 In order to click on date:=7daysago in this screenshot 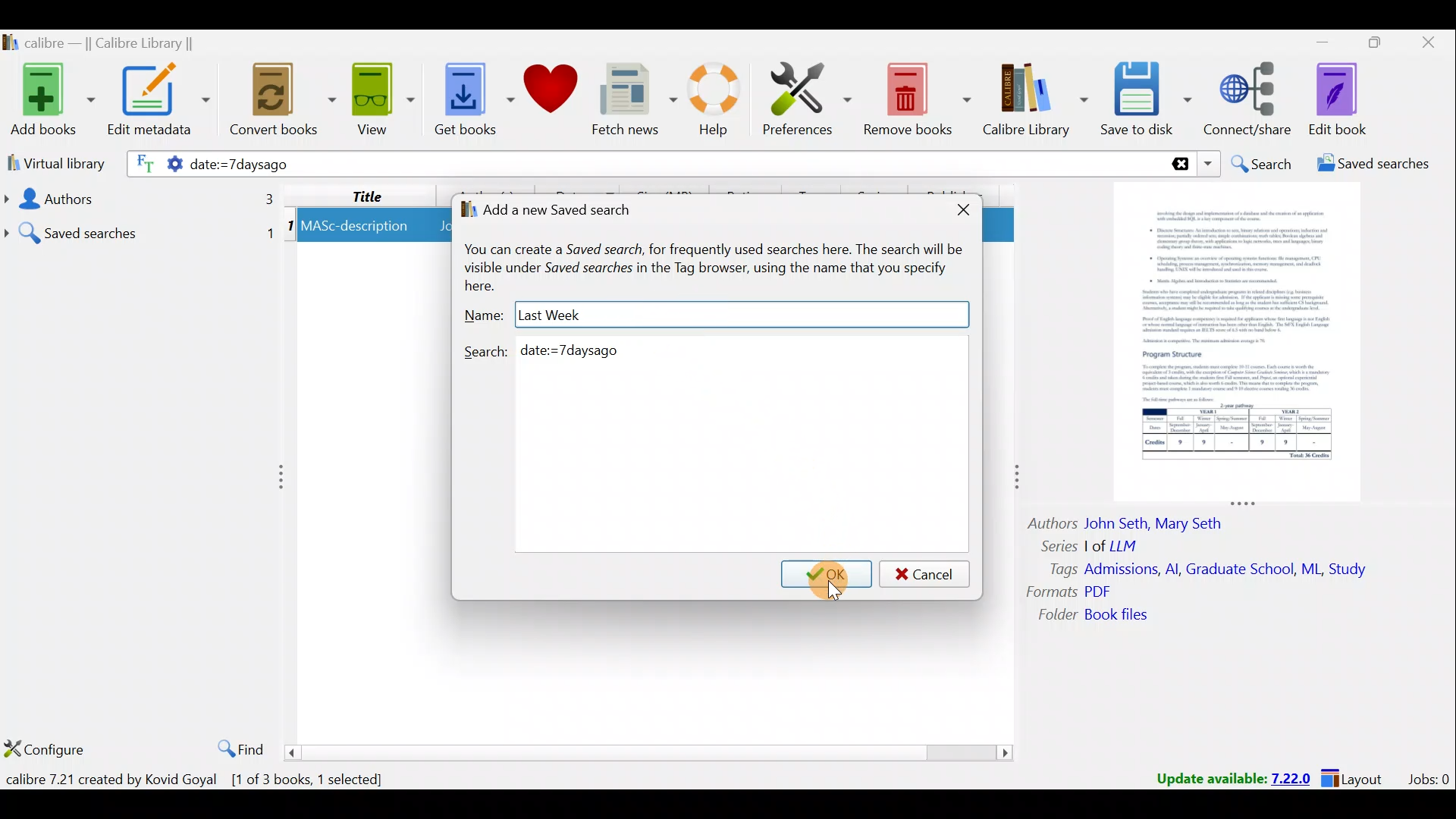, I will do `click(379, 165)`.